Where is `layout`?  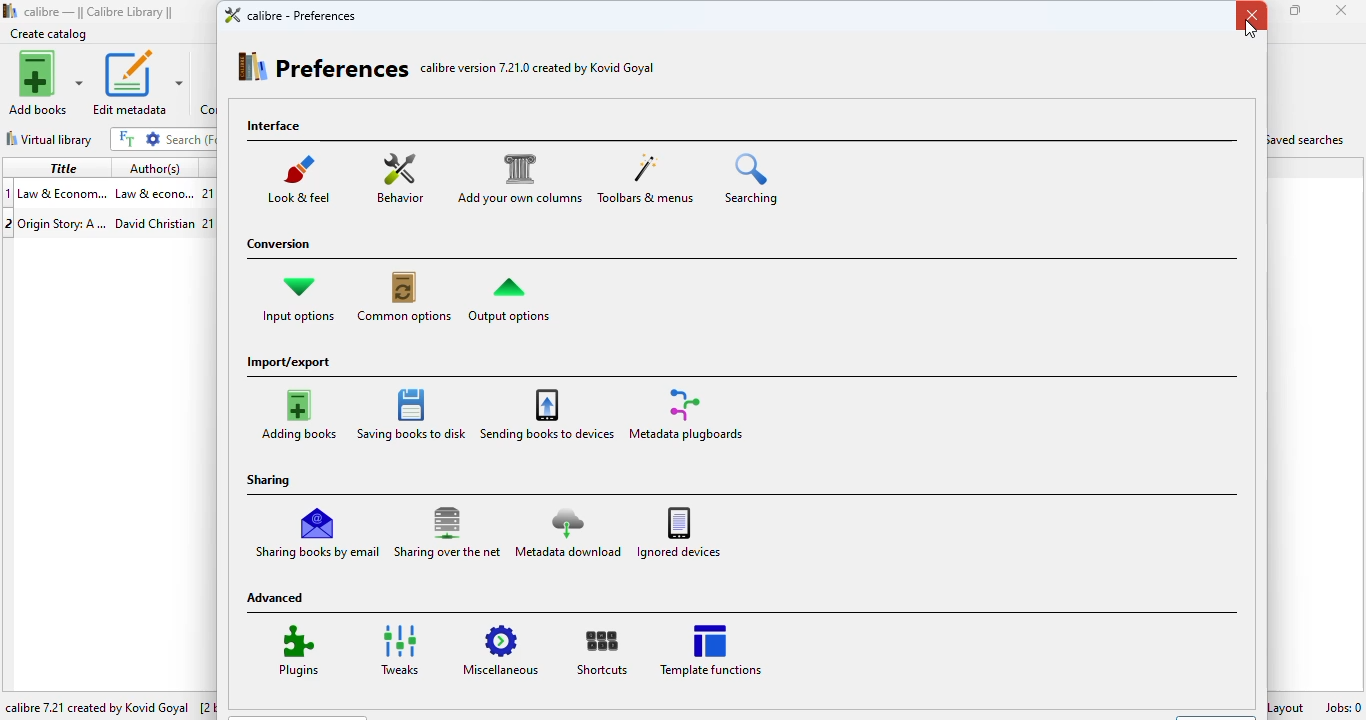
layout is located at coordinates (1289, 706).